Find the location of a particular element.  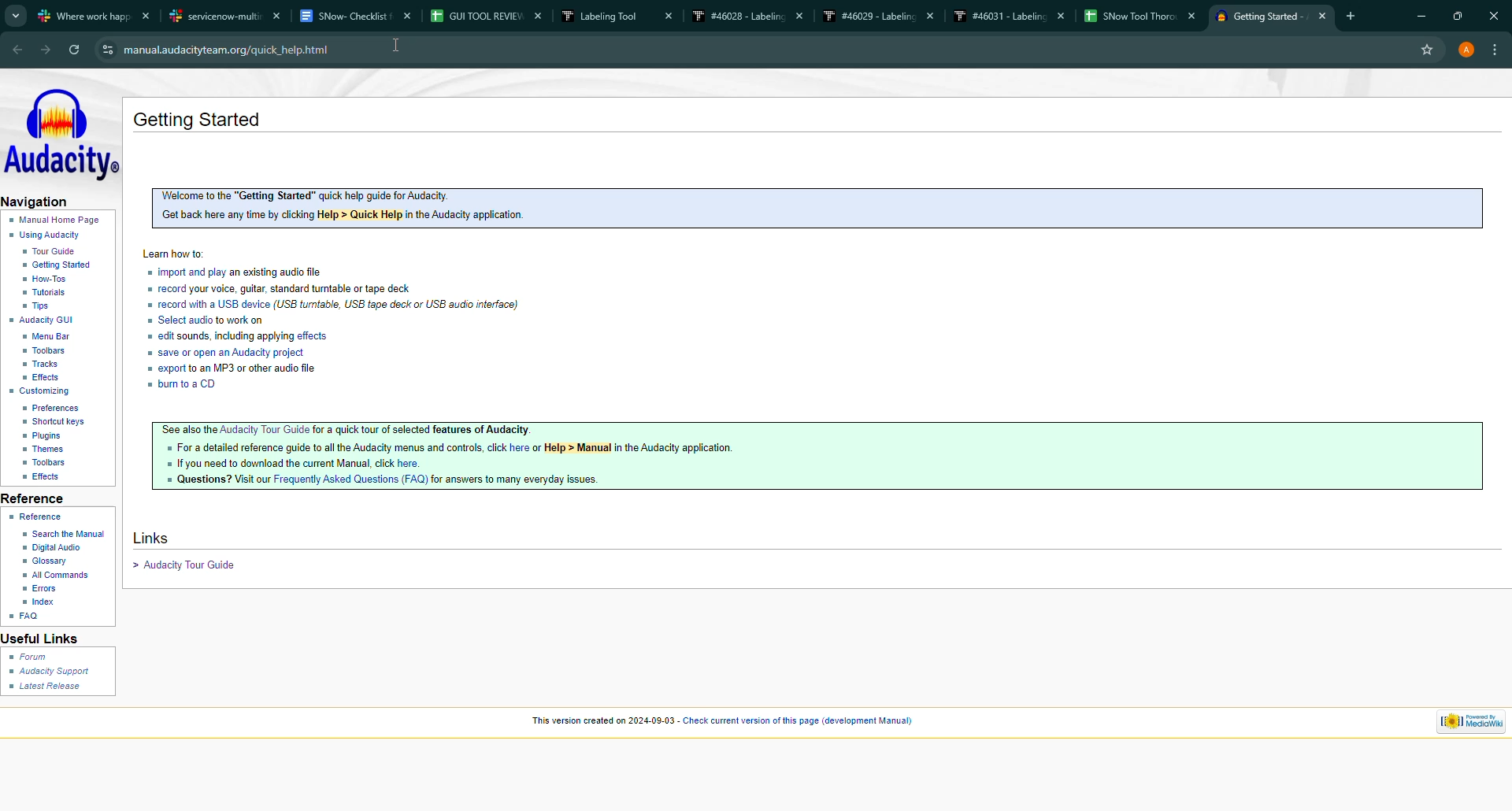

edit sounds is located at coordinates (179, 336).